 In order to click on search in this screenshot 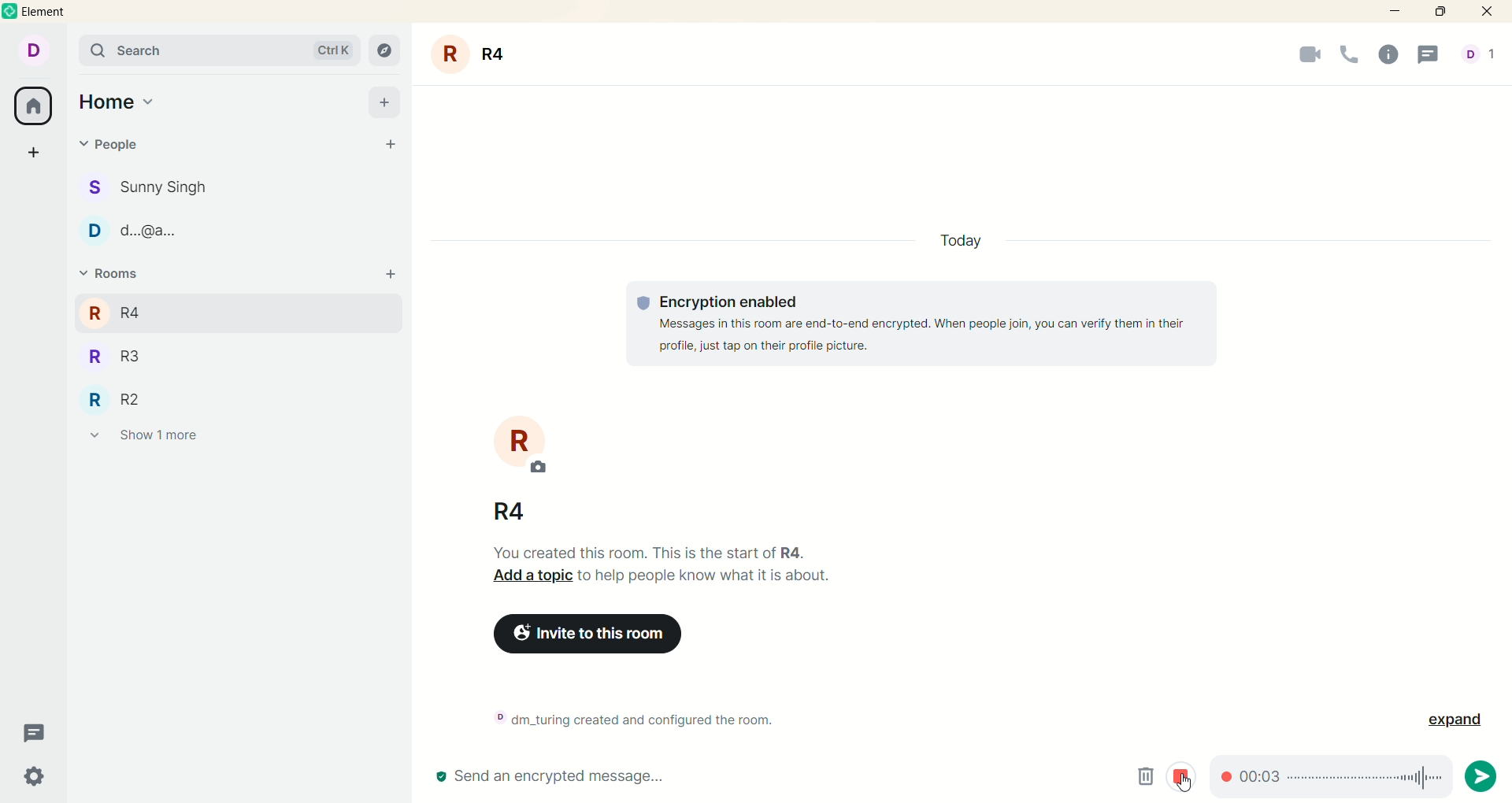, I will do `click(219, 50)`.